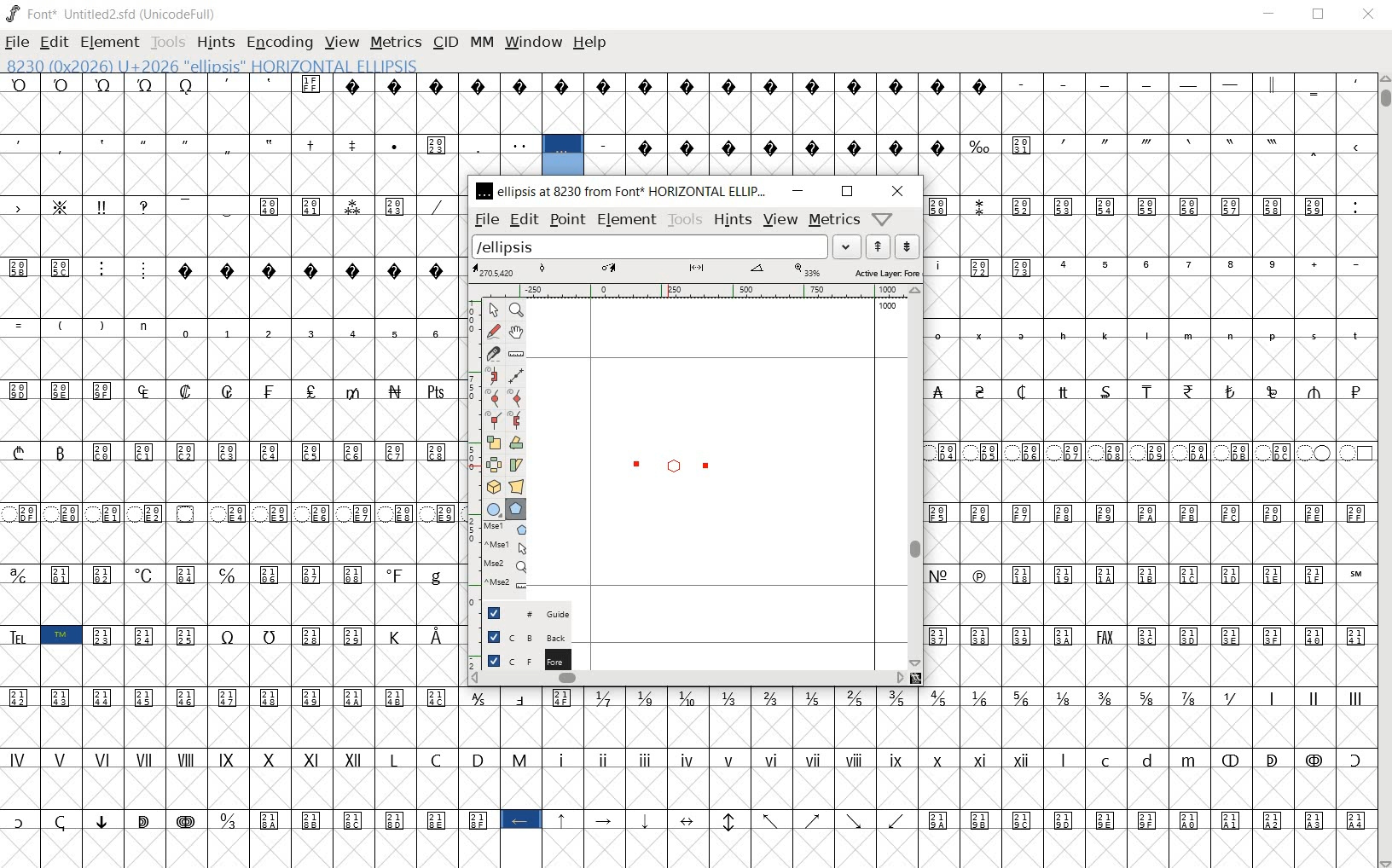 The width and height of the screenshot is (1392, 868). What do you see at coordinates (1319, 14) in the screenshot?
I see `RESTORE` at bounding box center [1319, 14].